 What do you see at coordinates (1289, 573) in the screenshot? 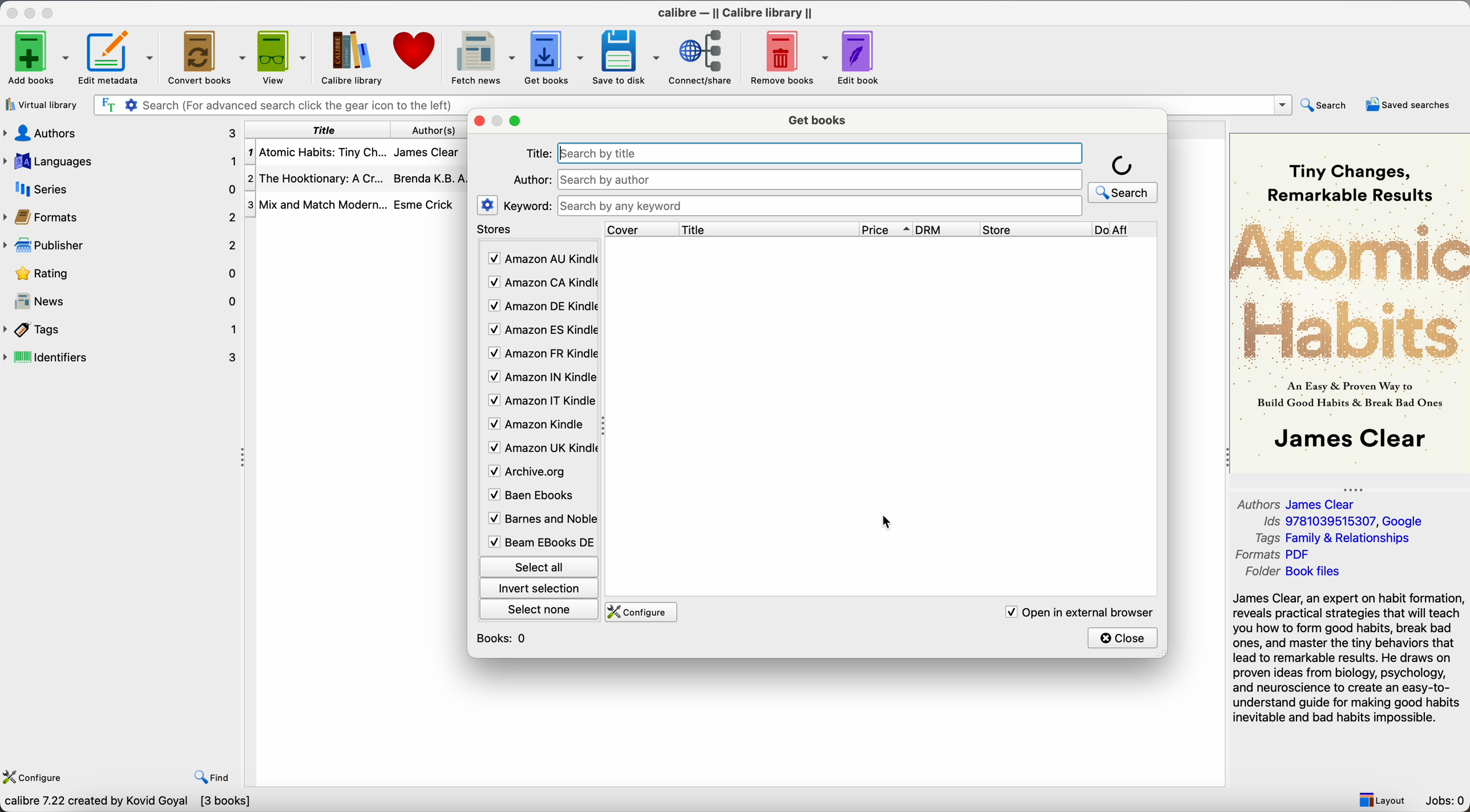
I see `Folder Book files` at bounding box center [1289, 573].